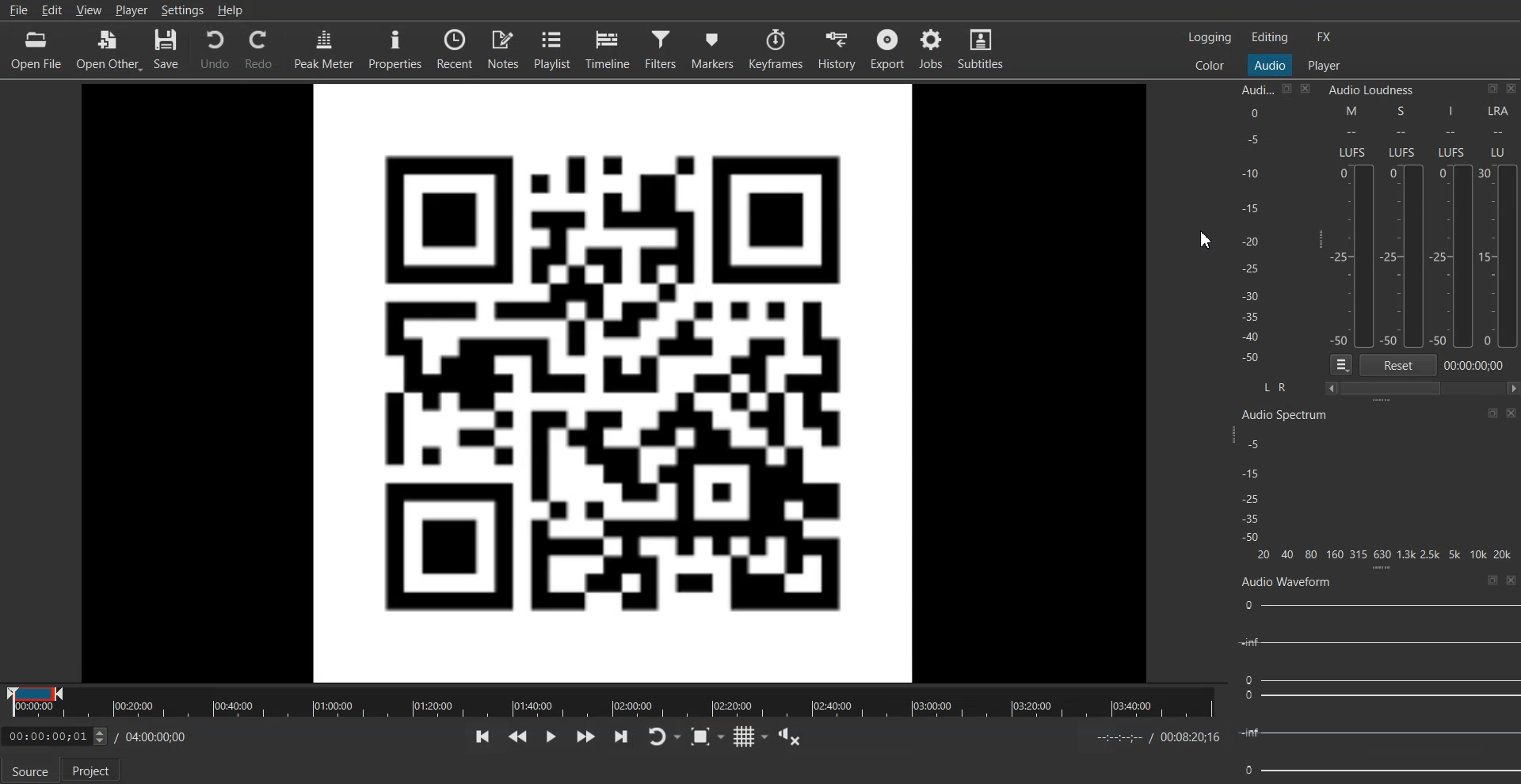 Image resolution: width=1521 pixels, height=784 pixels. What do you see at coordinates (585, 736) in the screenshot?
I see `Play quickly forward` at bounding box center [585, 736].